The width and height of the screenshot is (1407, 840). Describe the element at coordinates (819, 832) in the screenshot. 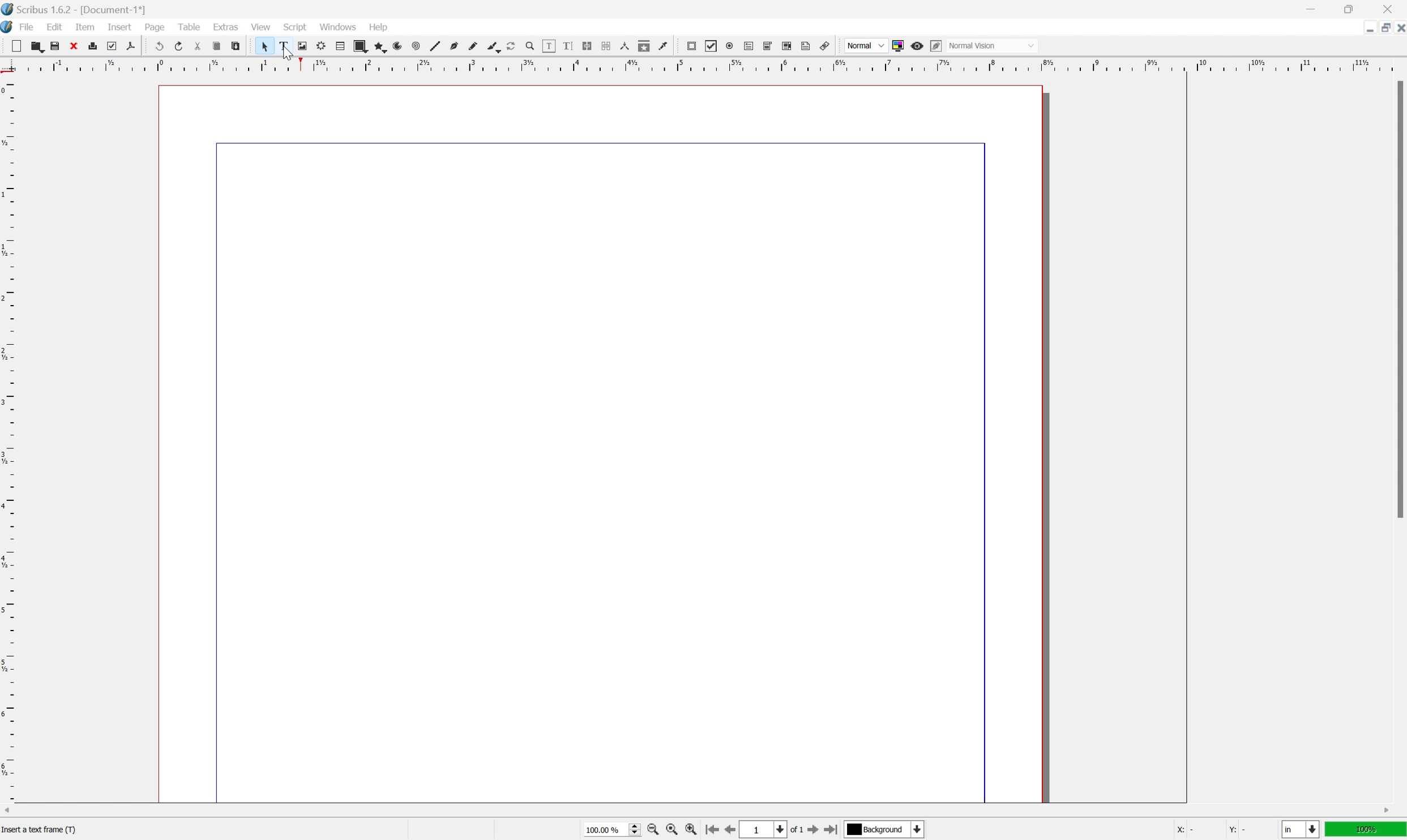

I see `go to next` at that location.